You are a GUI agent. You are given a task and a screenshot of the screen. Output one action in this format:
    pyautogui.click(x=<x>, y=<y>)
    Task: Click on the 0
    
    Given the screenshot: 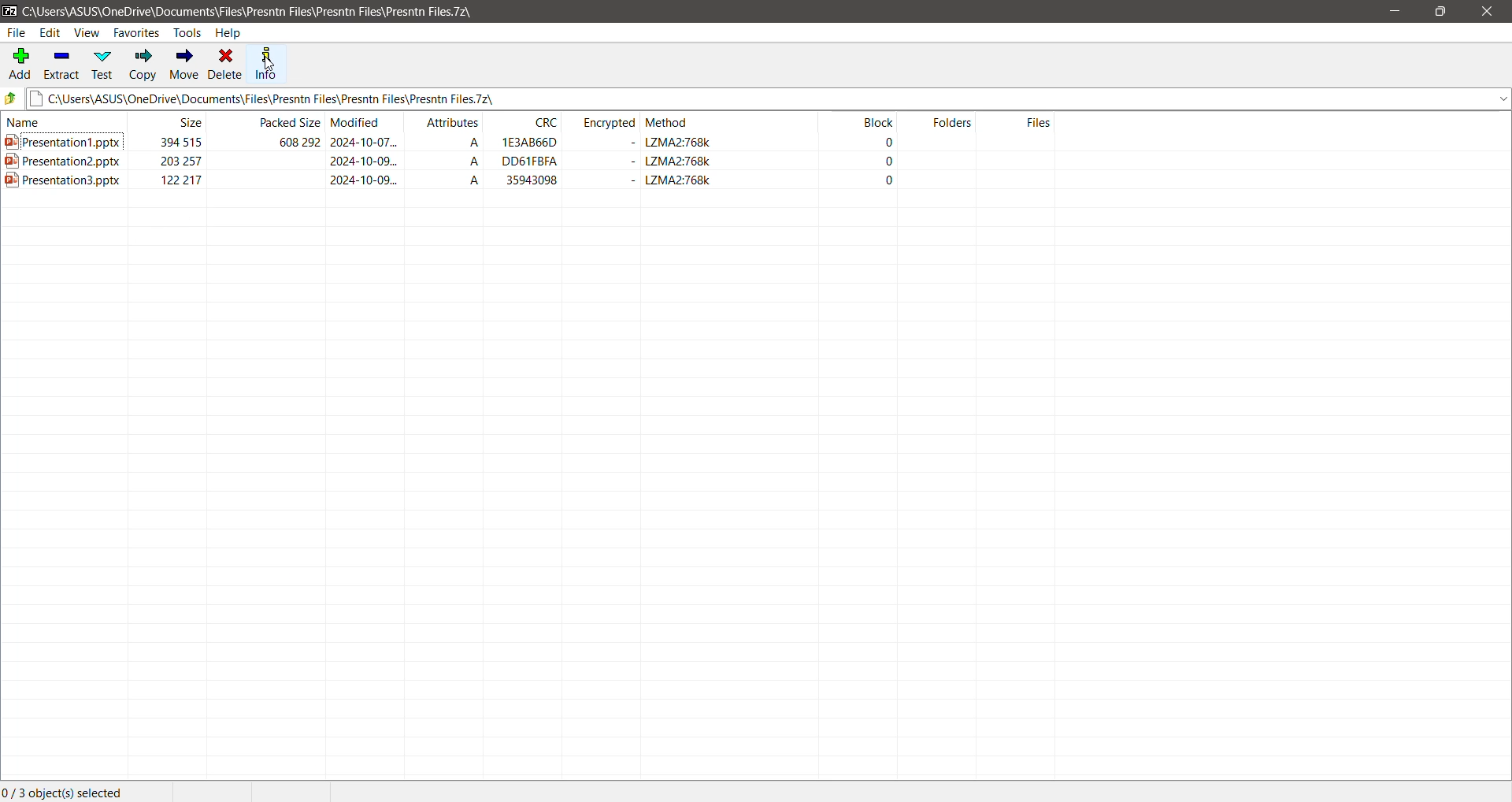 What is the action you would take?
    pyautogui.click(x=891, y=180)
    